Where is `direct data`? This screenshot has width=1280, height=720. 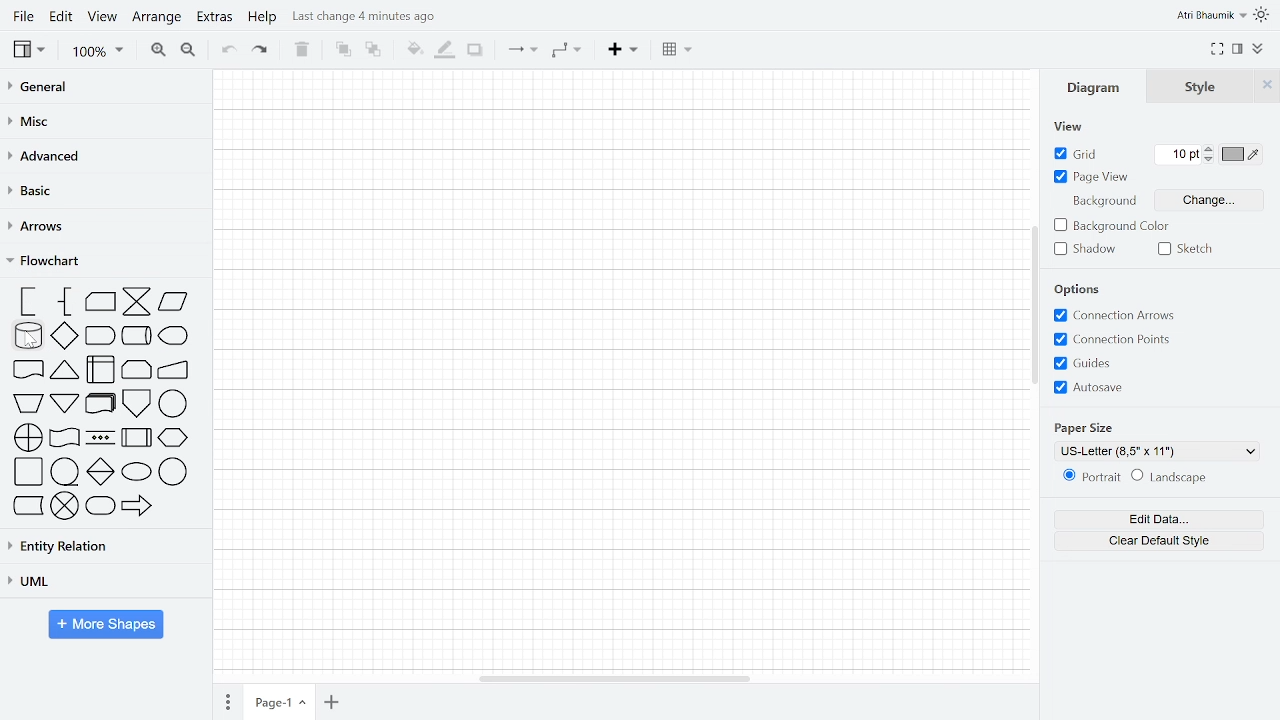
direct data is located at coordinates (136, 337).